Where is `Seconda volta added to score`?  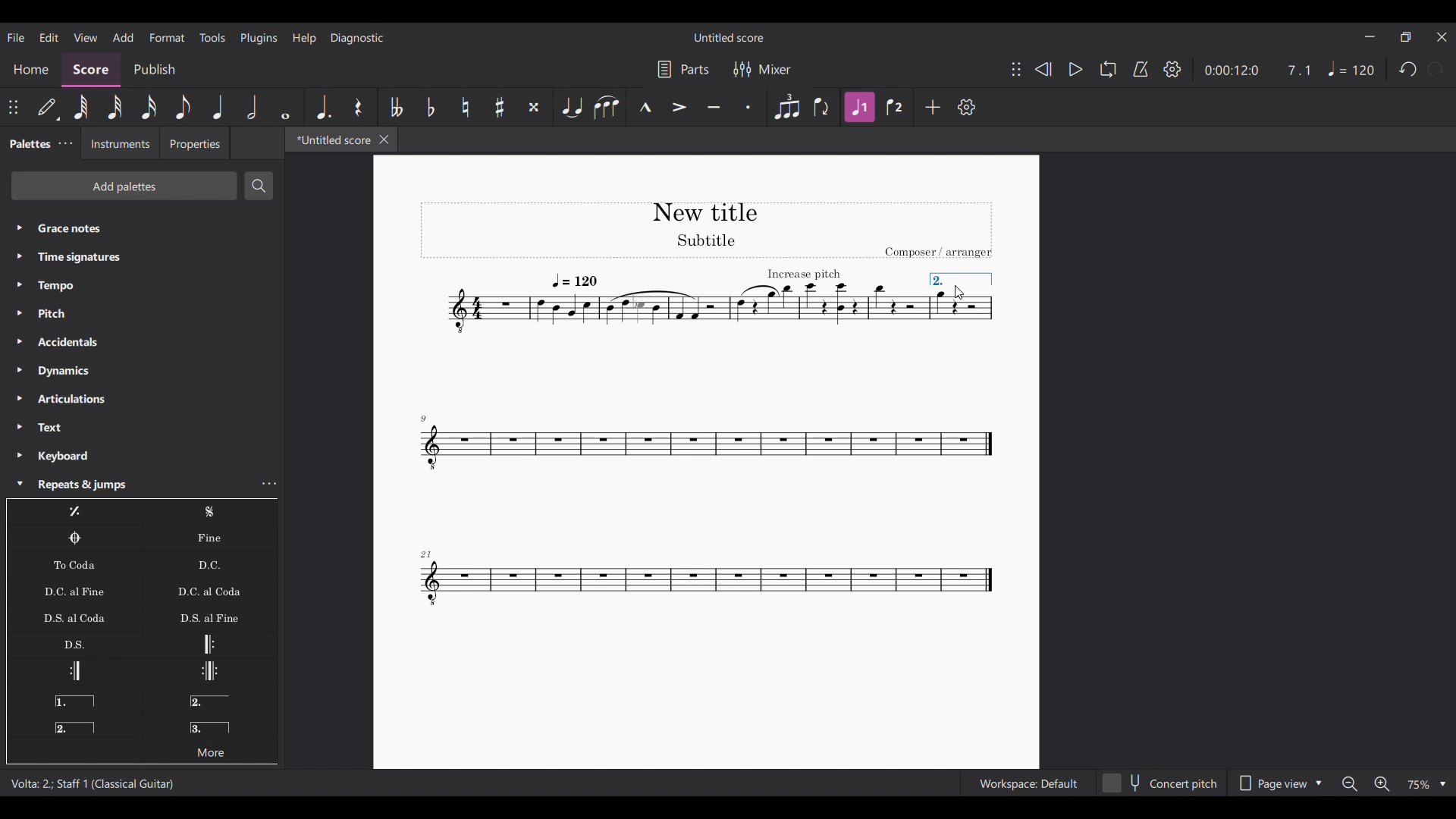 Seconda volta added to score is located at coordinates (961, 280).